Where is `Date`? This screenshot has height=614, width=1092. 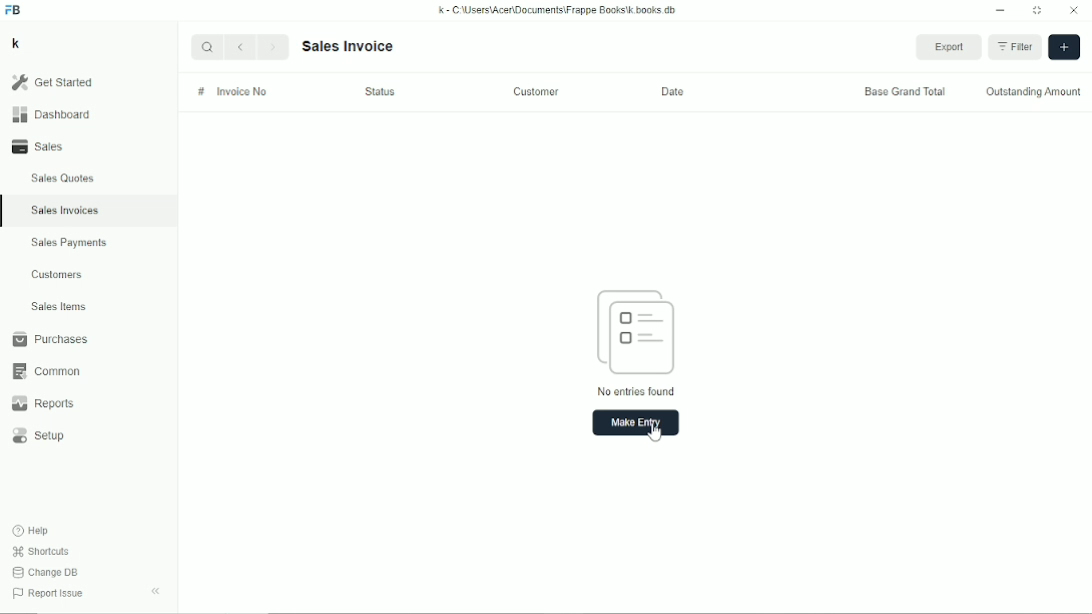
Date is located at coordinates (676, 91).